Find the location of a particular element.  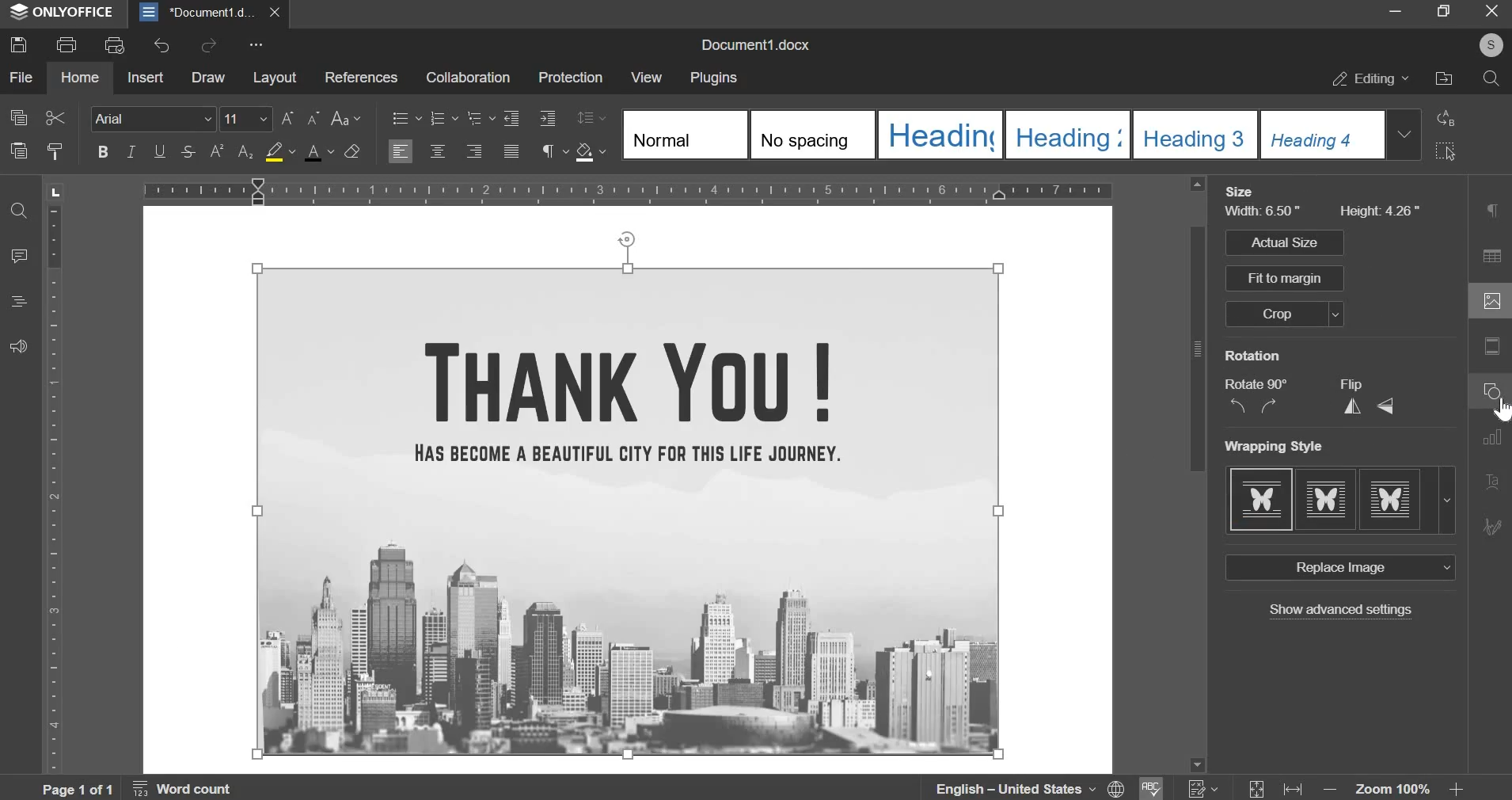

table settings is located at coordinates (1493, 256).